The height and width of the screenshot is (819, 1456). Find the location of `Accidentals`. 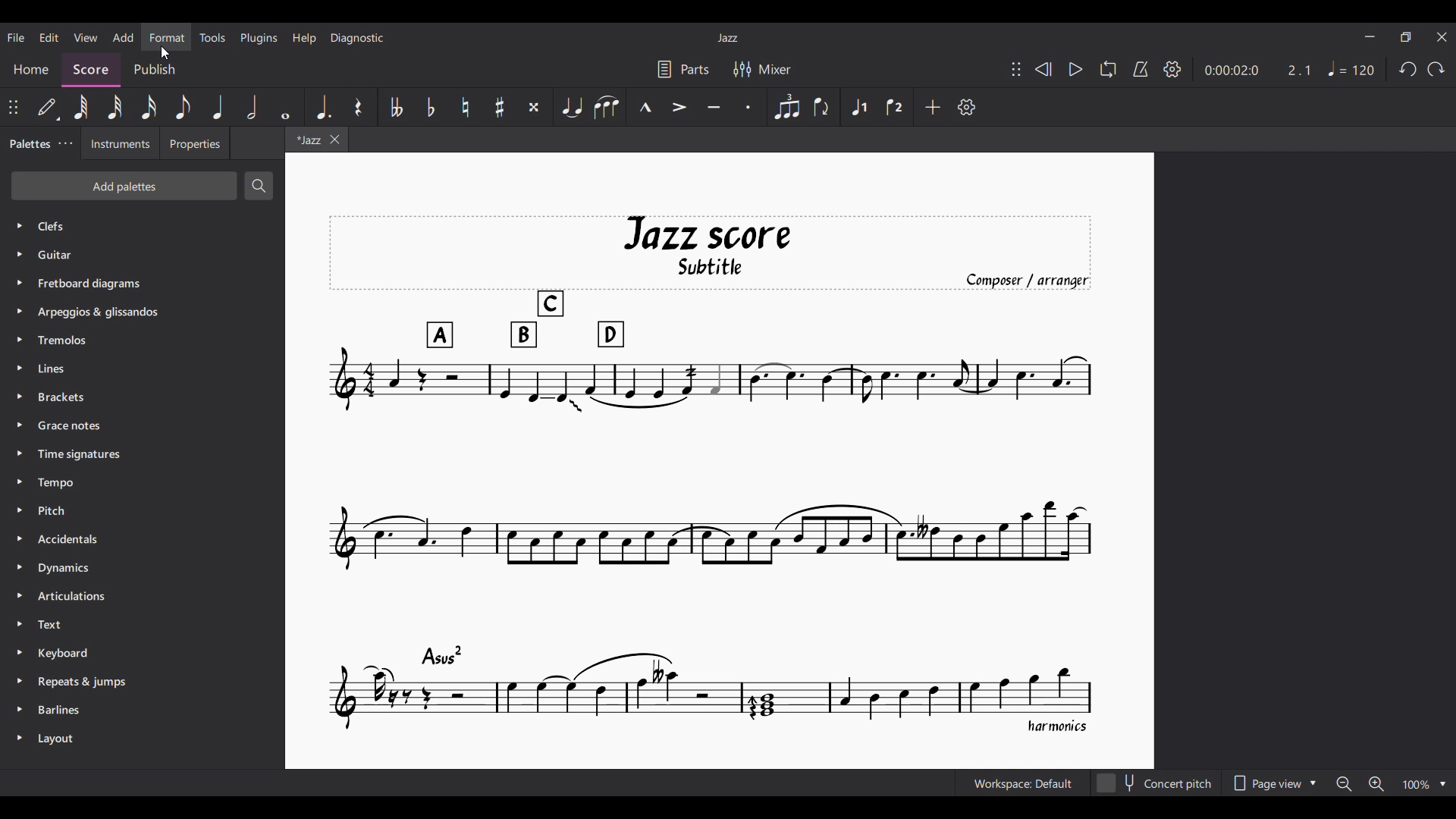

Accidentals is located at coordinates (72, 538).